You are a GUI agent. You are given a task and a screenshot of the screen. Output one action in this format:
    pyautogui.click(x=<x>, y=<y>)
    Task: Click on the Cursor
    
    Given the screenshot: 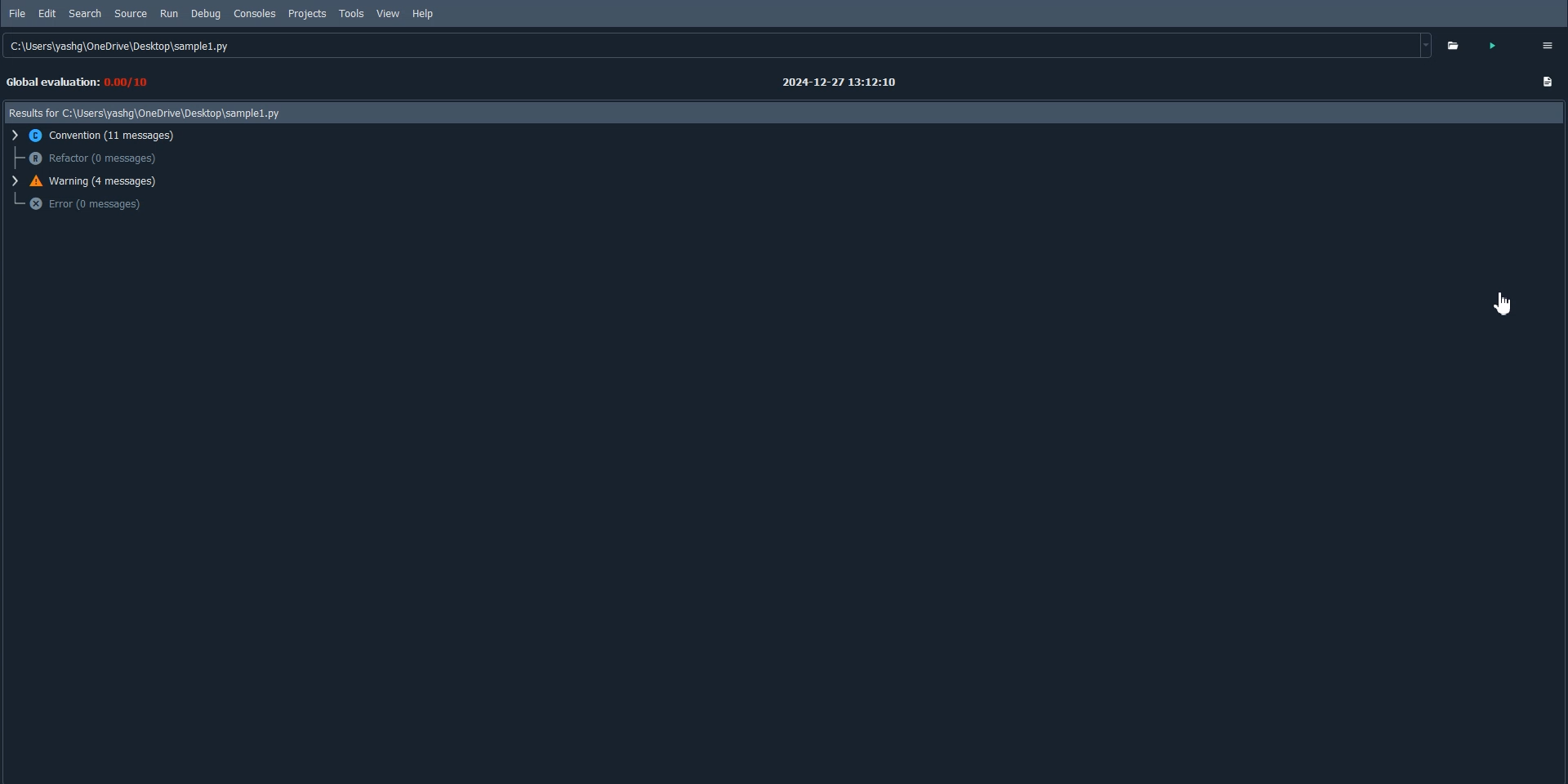 What is the action you would take?
    pyautogui.click(x=1500, y=302)
    